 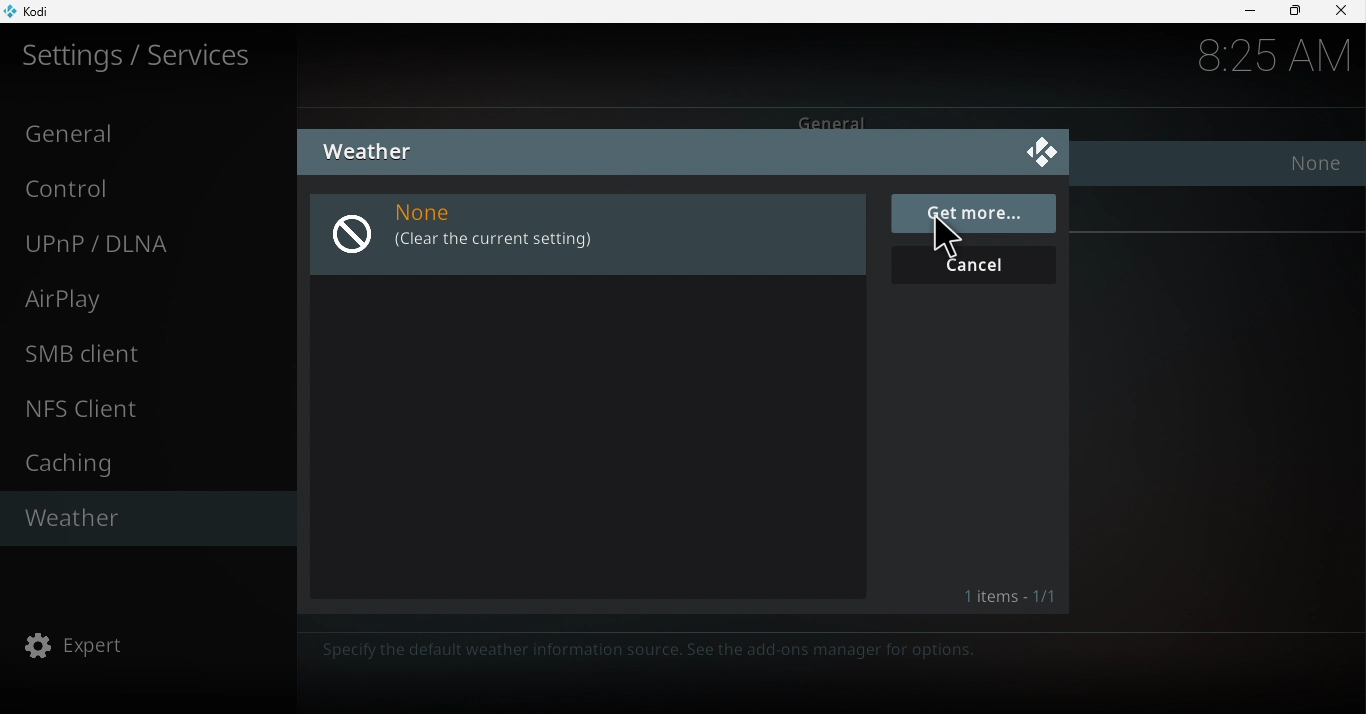 What do you see at coordinates (1295, 9) in the screenshot?
I see `Maximize` at bounding box center [1295, 9].